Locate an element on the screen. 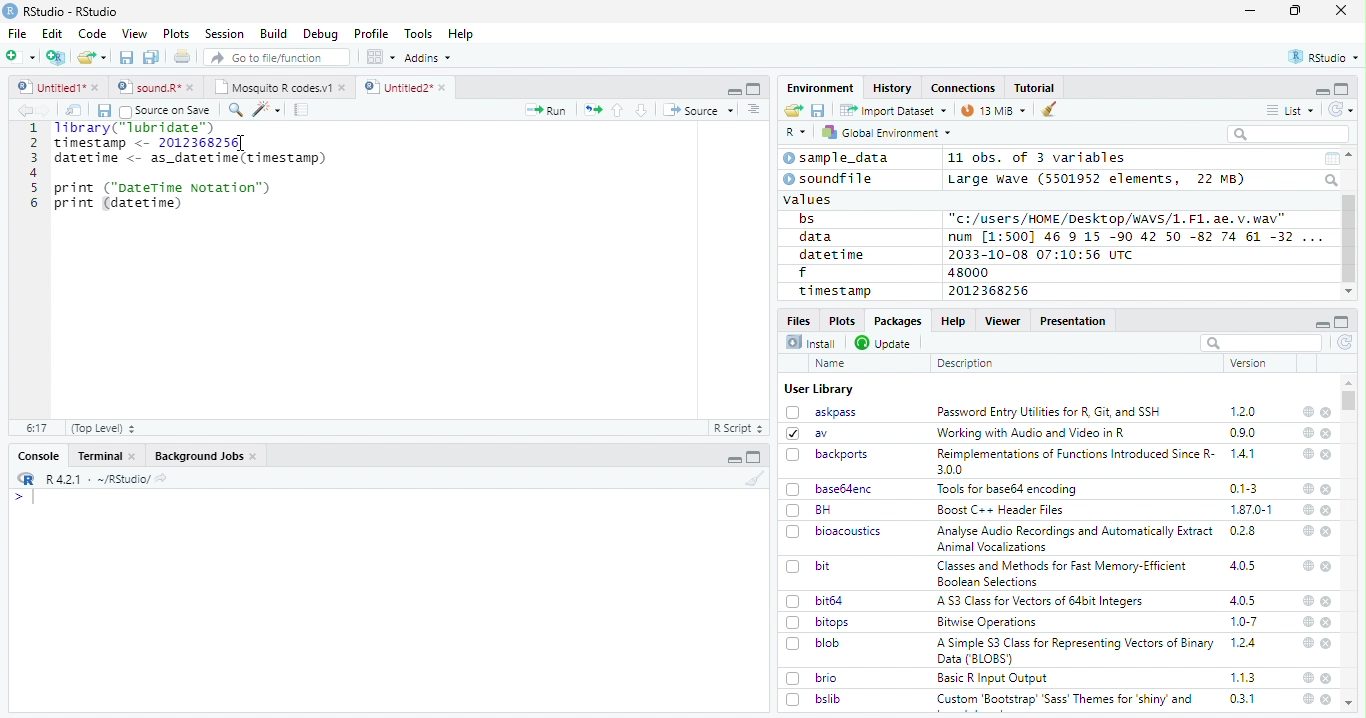 Image resolution: width=1366 pixels, height=718 pixels. close is located at coordinates (1328, 510).